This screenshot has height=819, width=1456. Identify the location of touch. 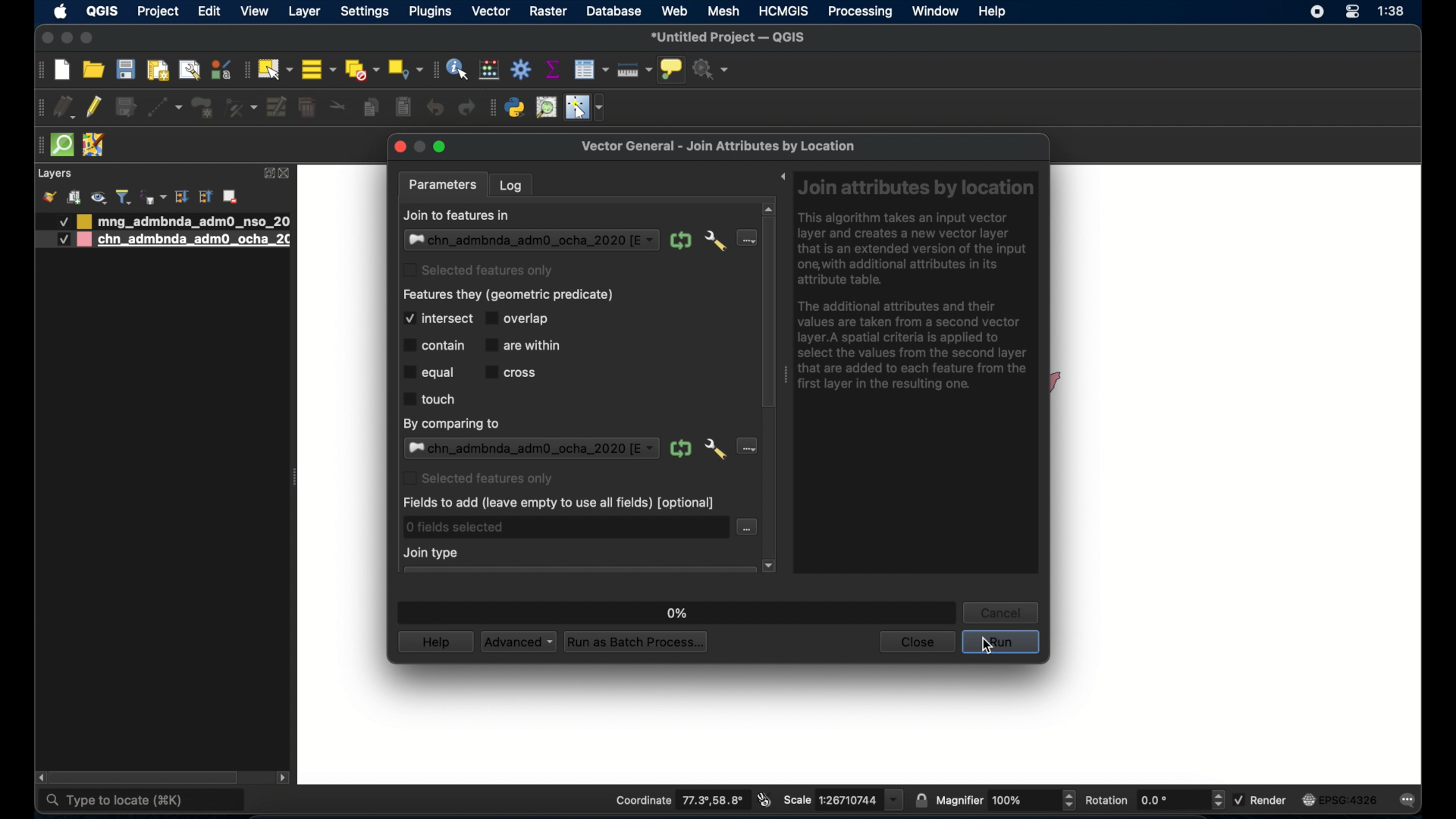
(429, 399).